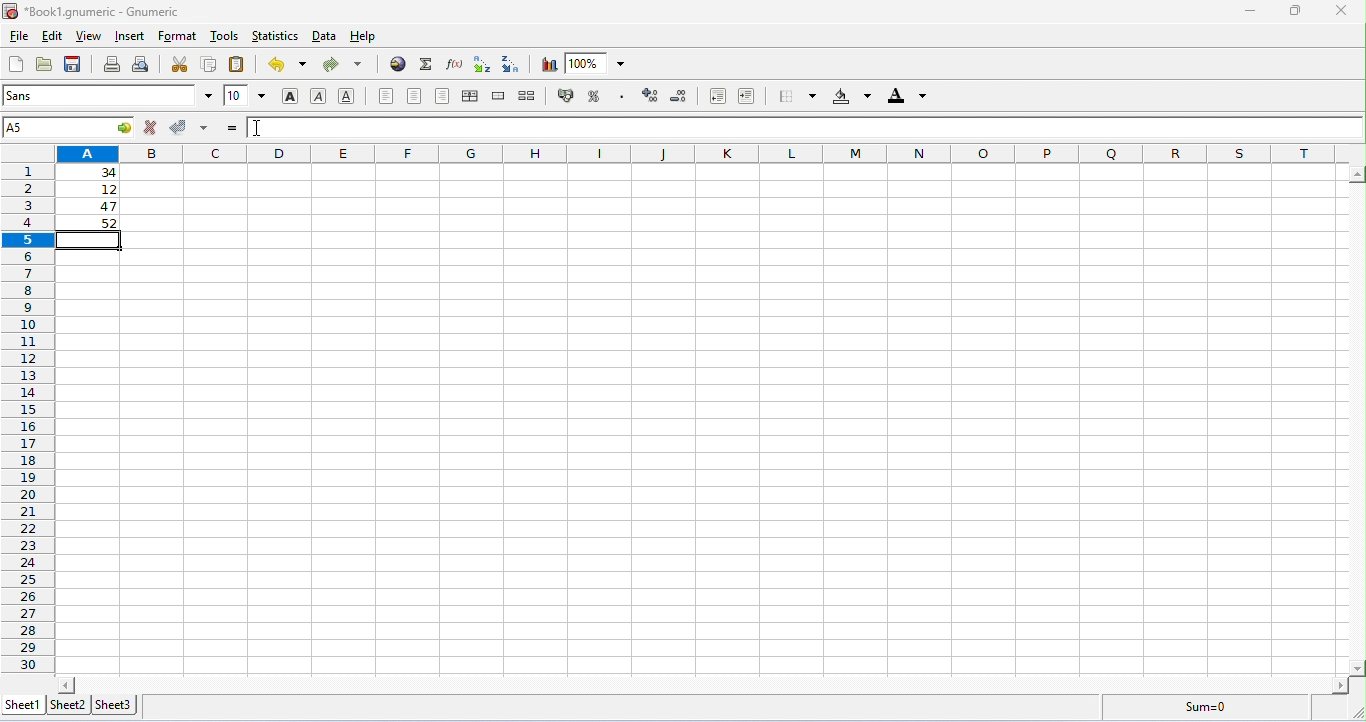 This screenshot has height=722, width=1366. I want to click on background, so click(852, 96).